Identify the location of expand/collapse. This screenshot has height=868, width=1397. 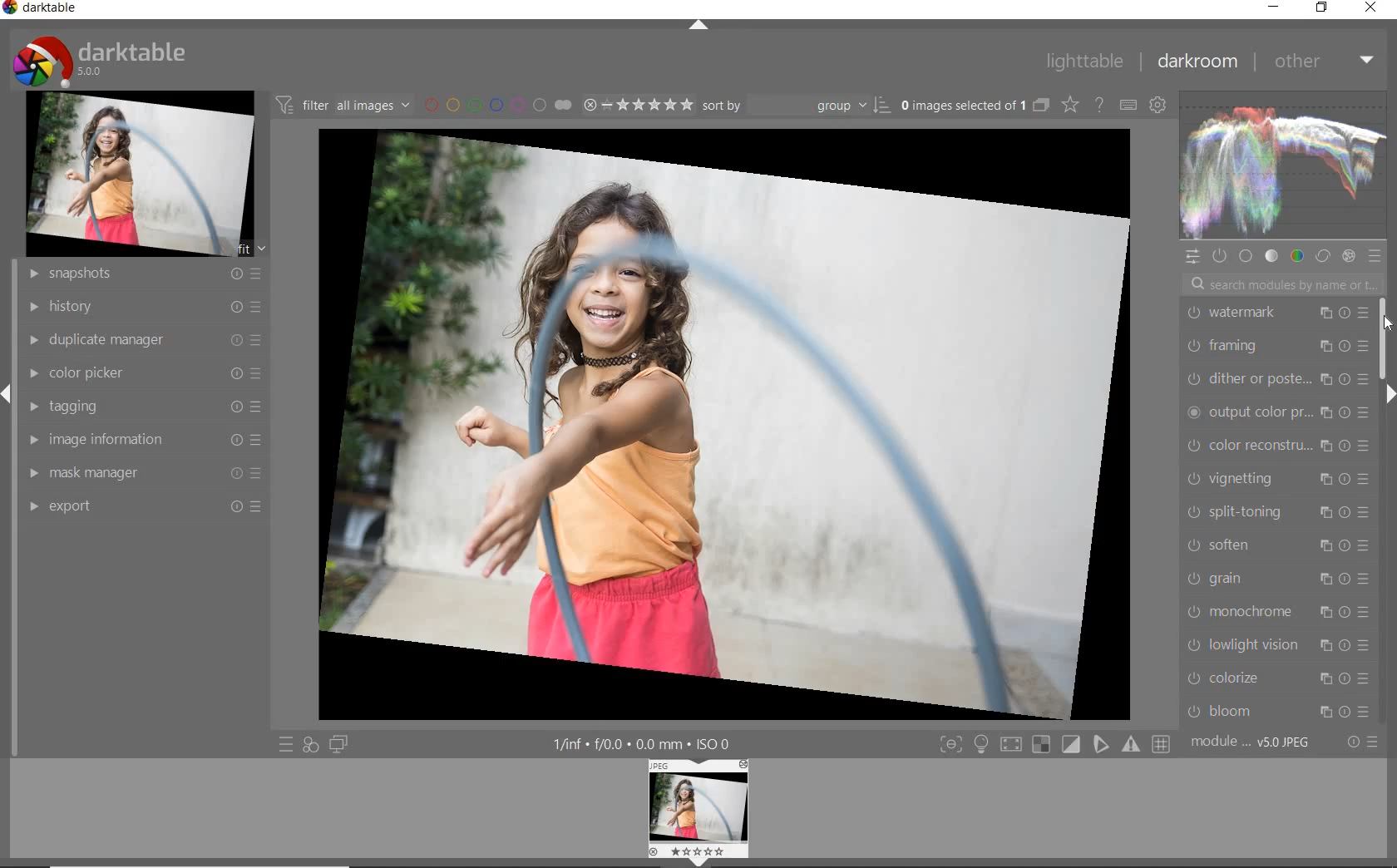
(1389, 396).